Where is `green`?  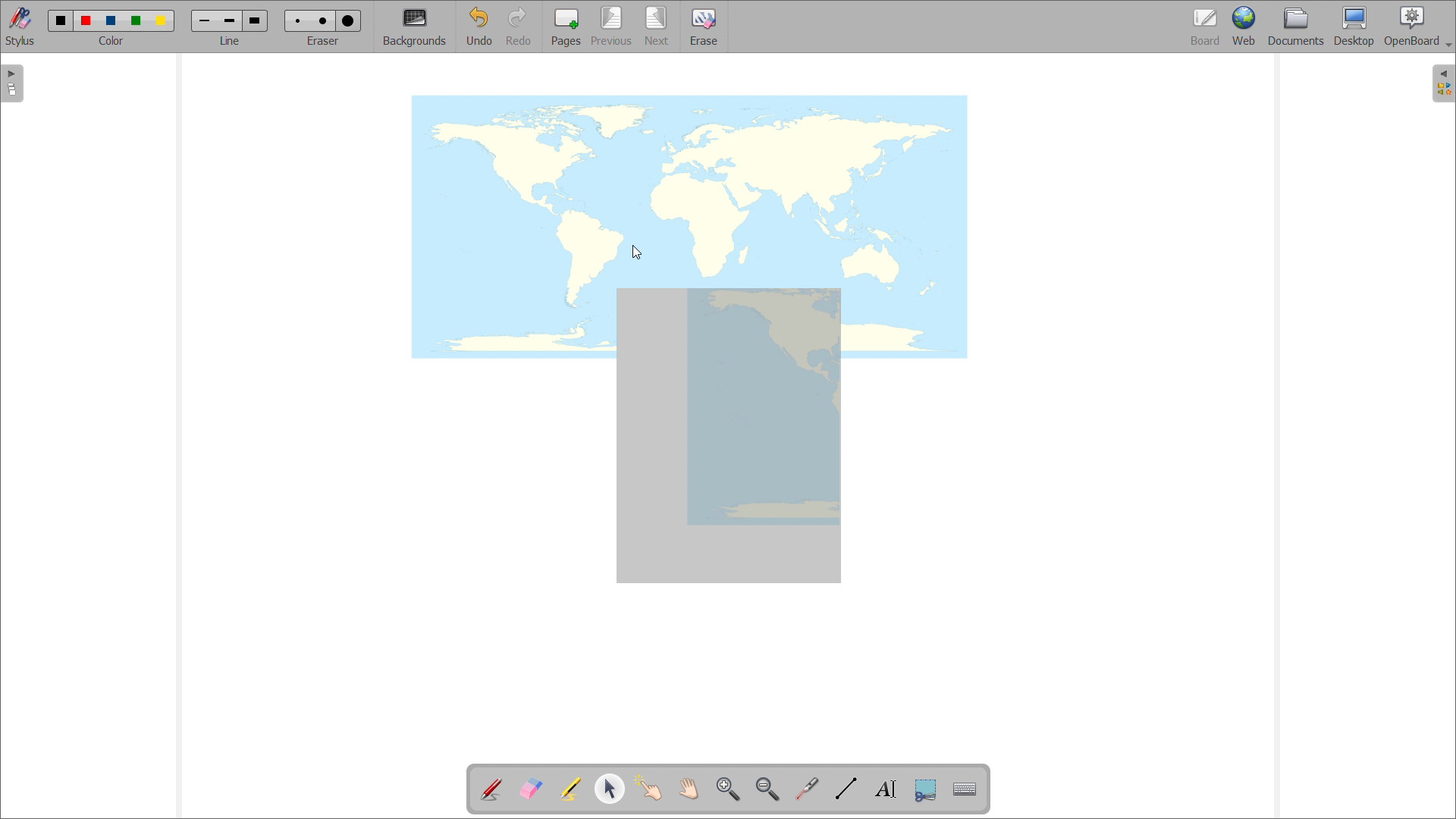 green is located at coordinates (136, 20).